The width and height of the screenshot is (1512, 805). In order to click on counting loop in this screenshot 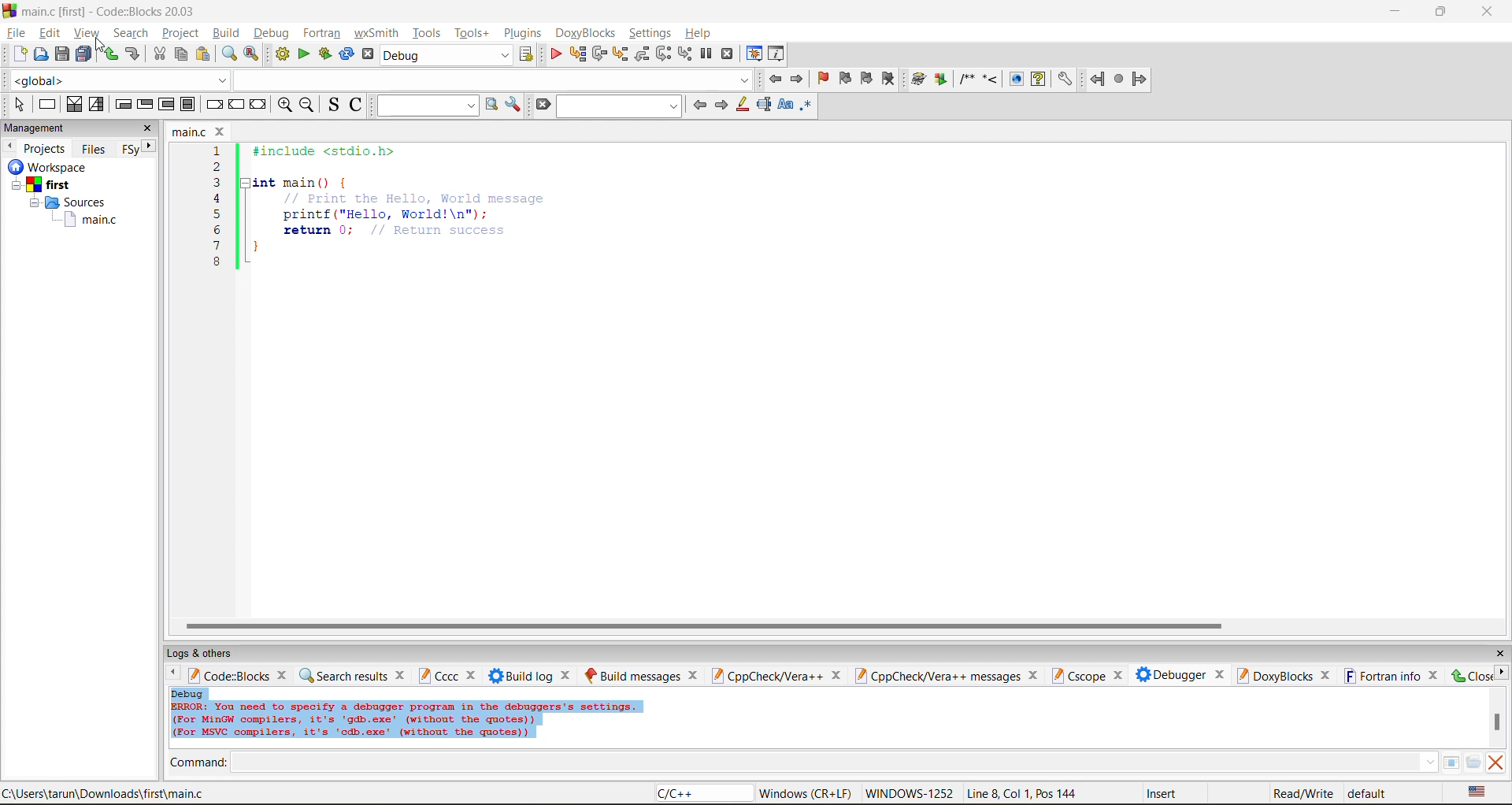, I will do `click(169, 106)`.